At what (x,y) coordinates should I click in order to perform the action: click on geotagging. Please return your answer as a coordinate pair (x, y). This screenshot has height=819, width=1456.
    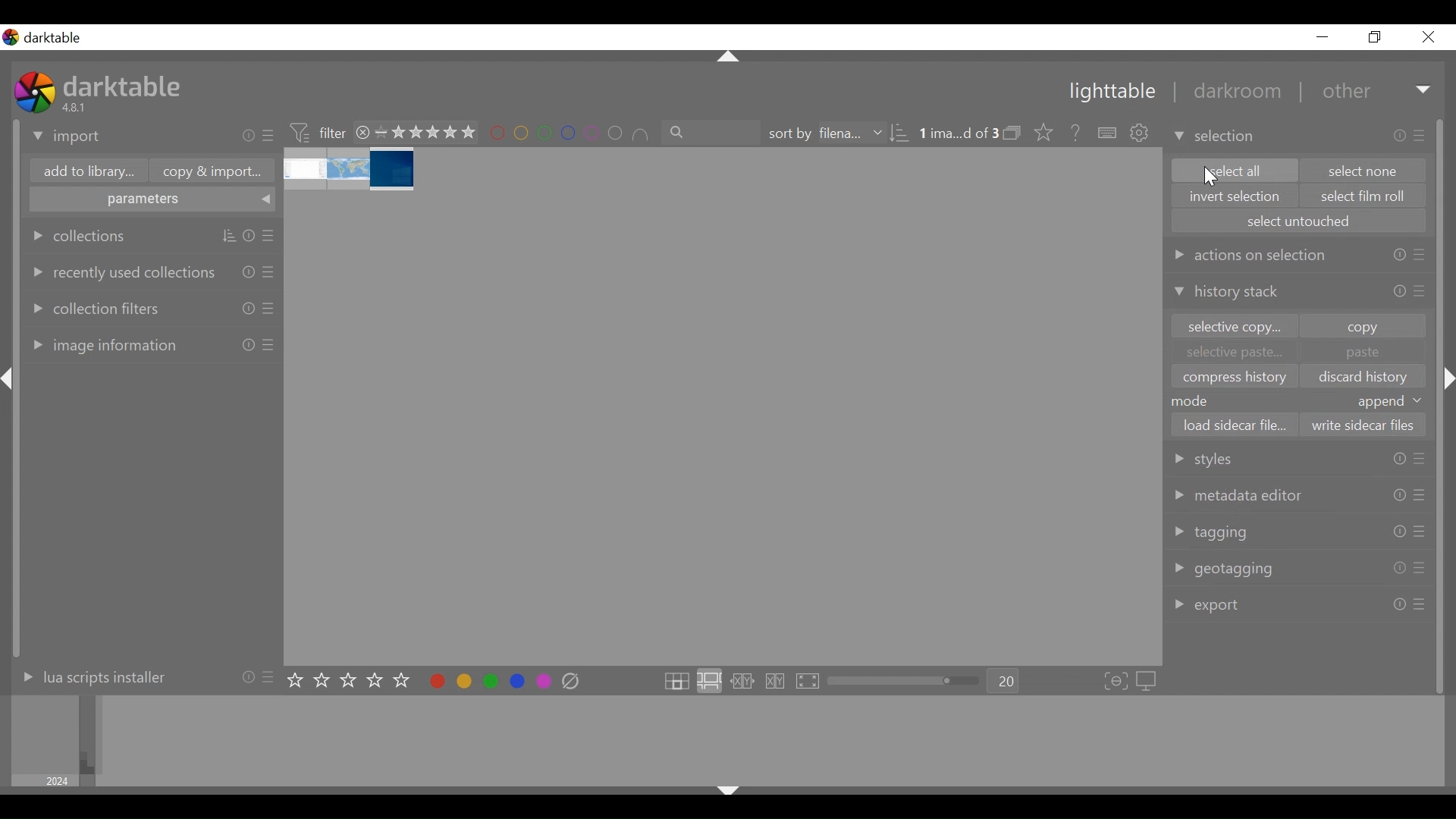
    Looking at the image, I should click on (1226, 570).